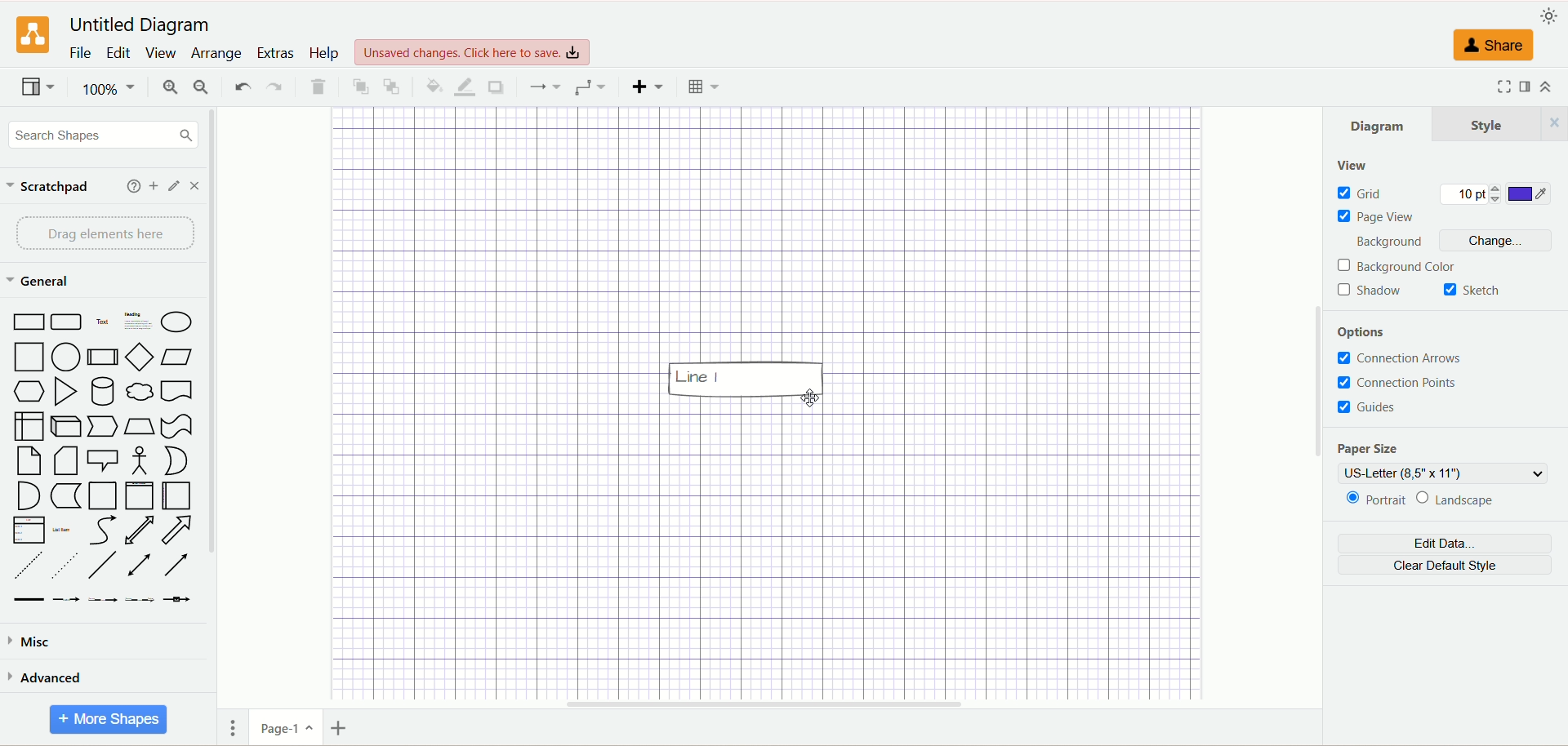  Describe the element at coordinates (1491, 45) in the screenshot. I see `share` at that location.